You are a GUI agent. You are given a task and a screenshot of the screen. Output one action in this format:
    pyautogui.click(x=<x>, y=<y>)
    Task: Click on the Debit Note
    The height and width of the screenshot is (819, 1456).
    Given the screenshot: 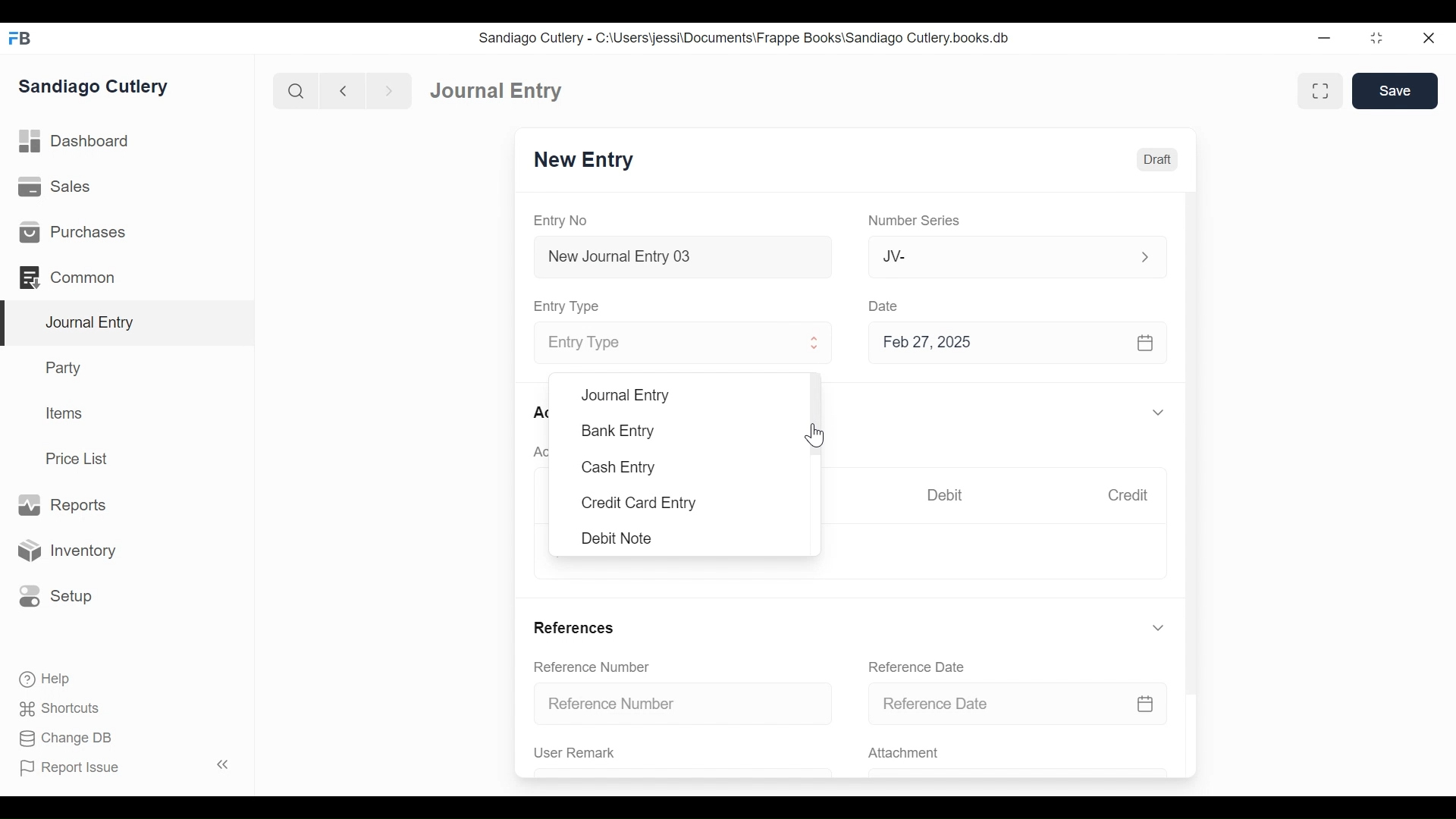 What is the action you would take?
    pyautogui.click(x=622, y=539)
    